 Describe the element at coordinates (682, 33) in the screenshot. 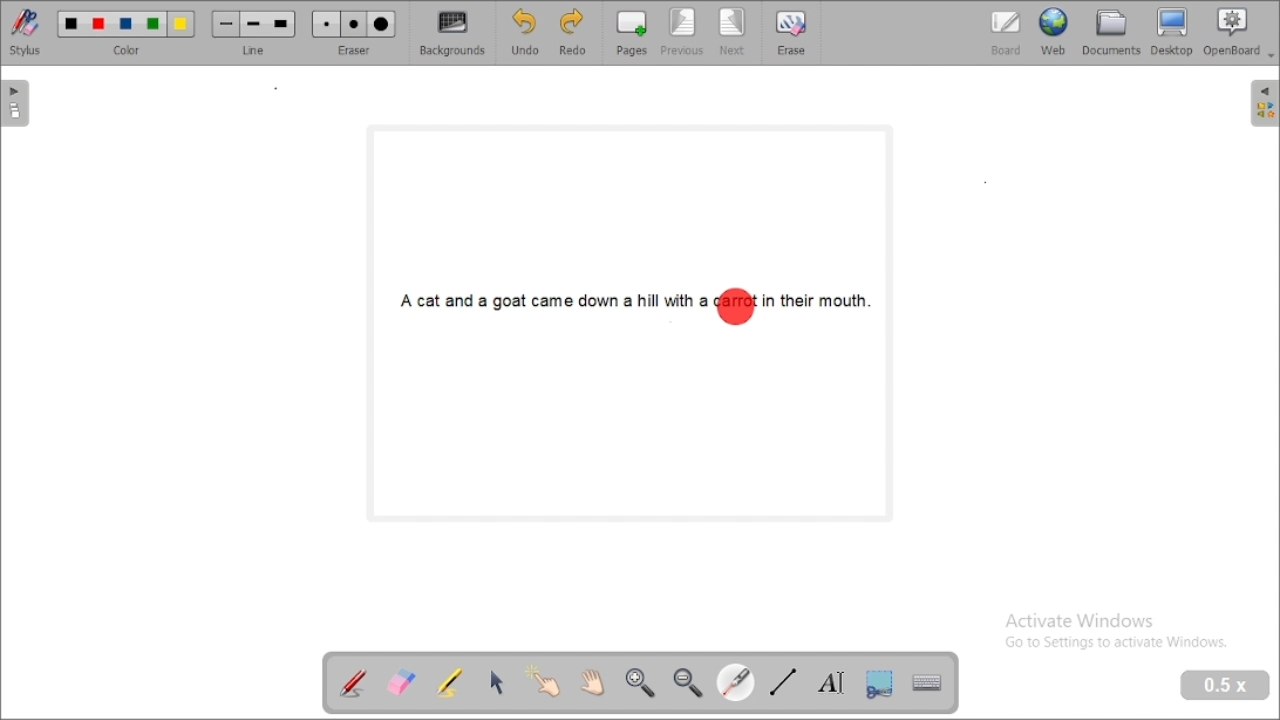

I see `previous` at that location.